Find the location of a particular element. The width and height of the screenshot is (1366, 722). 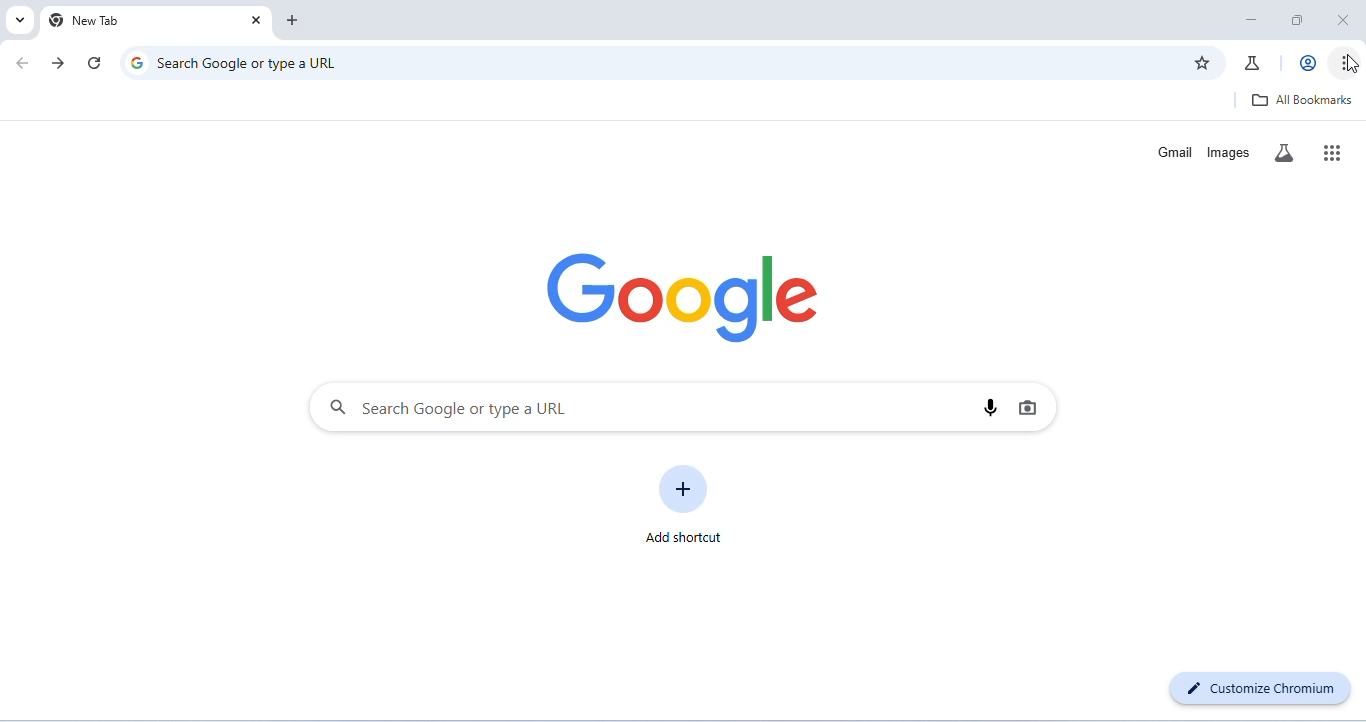

google is located at coordinates (683, 297).